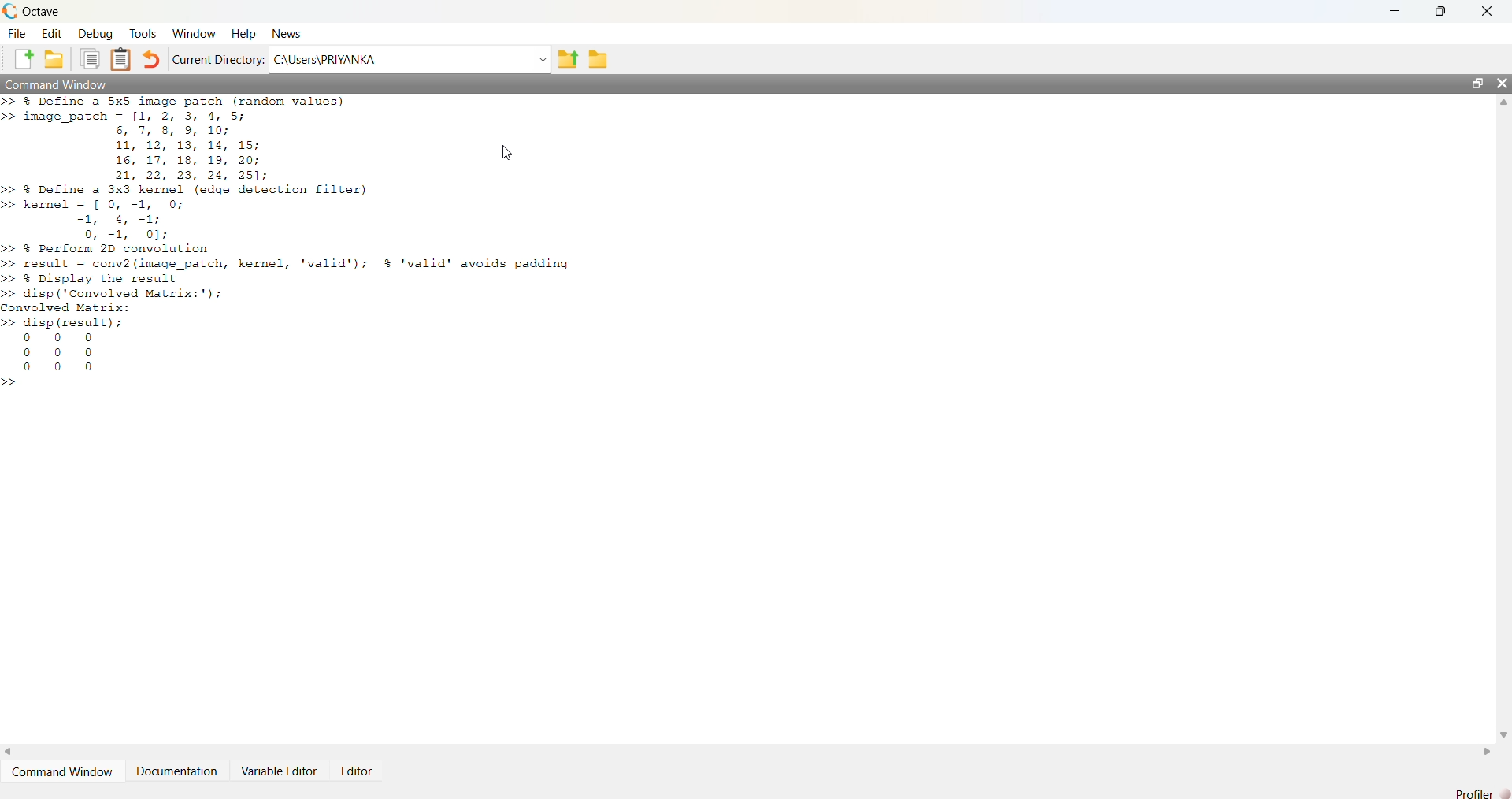 This screenshot has width=1512, height=799. Describe the element at coordinates (246, 34) in the screenshot. I see `Help` at that location.